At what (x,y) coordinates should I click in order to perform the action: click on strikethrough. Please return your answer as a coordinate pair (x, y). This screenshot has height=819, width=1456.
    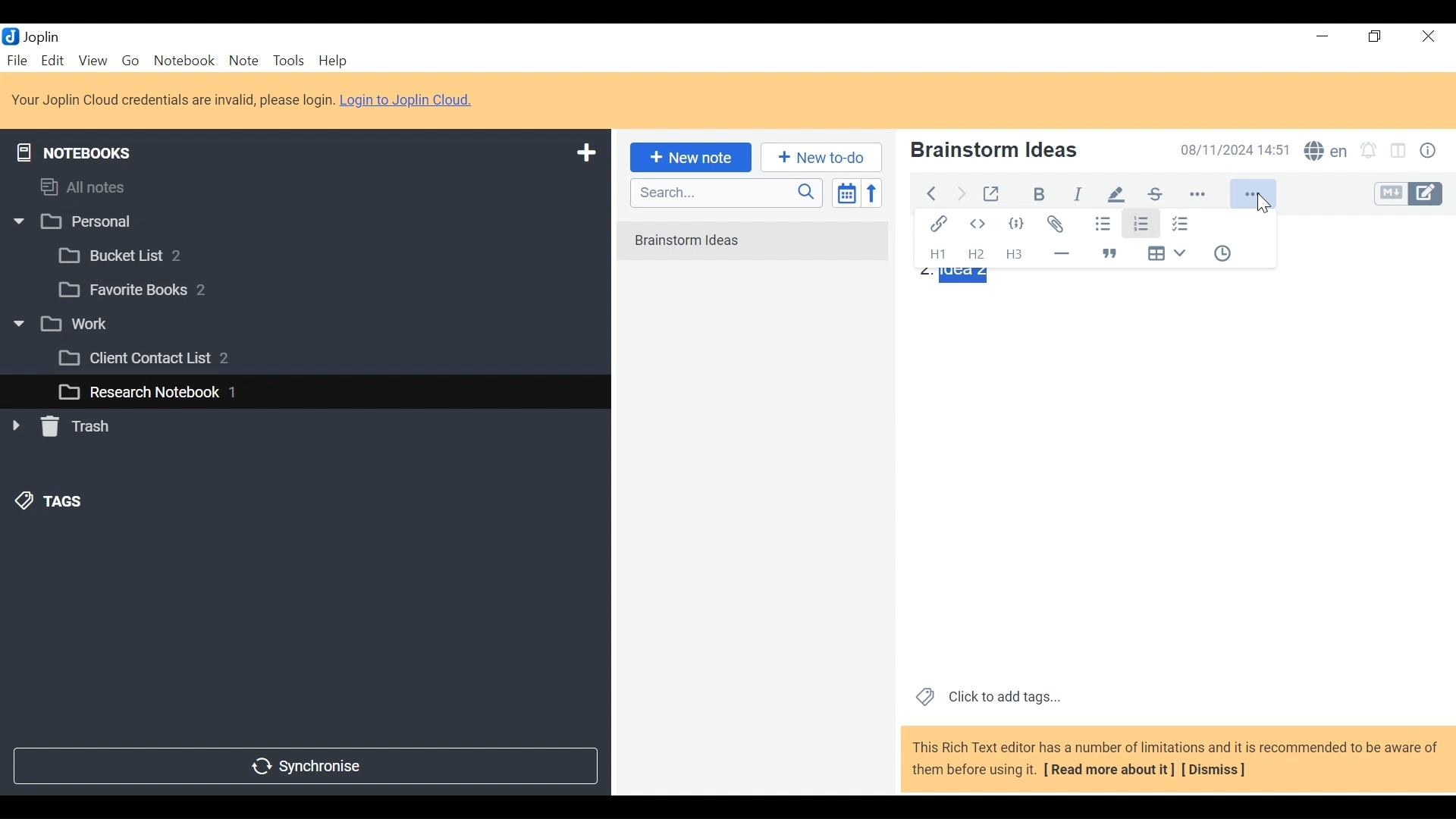
    Looking at the image, I should click on (1157, 191).